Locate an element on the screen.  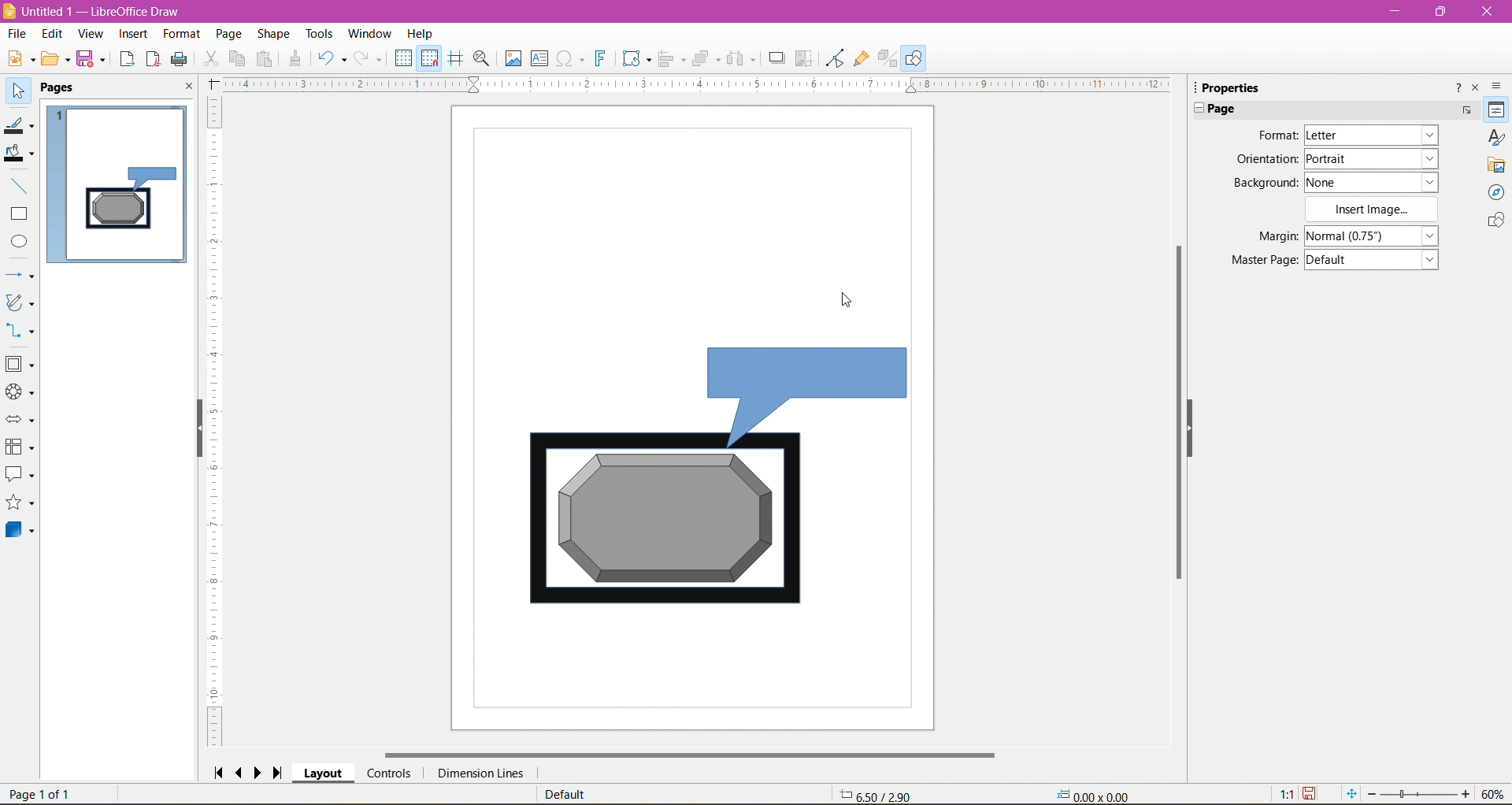
Restore down is located at coordinates (1443, 12).